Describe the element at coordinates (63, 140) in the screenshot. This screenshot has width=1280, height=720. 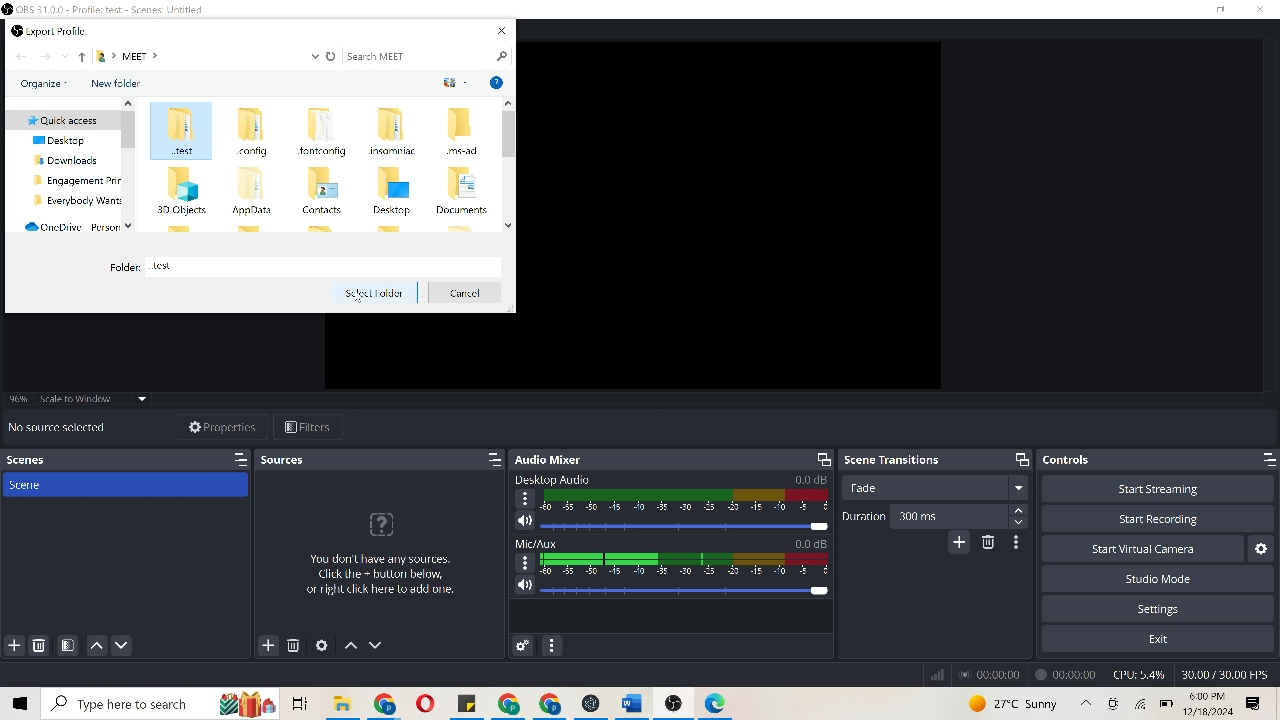
I see `Desktop` at that location.